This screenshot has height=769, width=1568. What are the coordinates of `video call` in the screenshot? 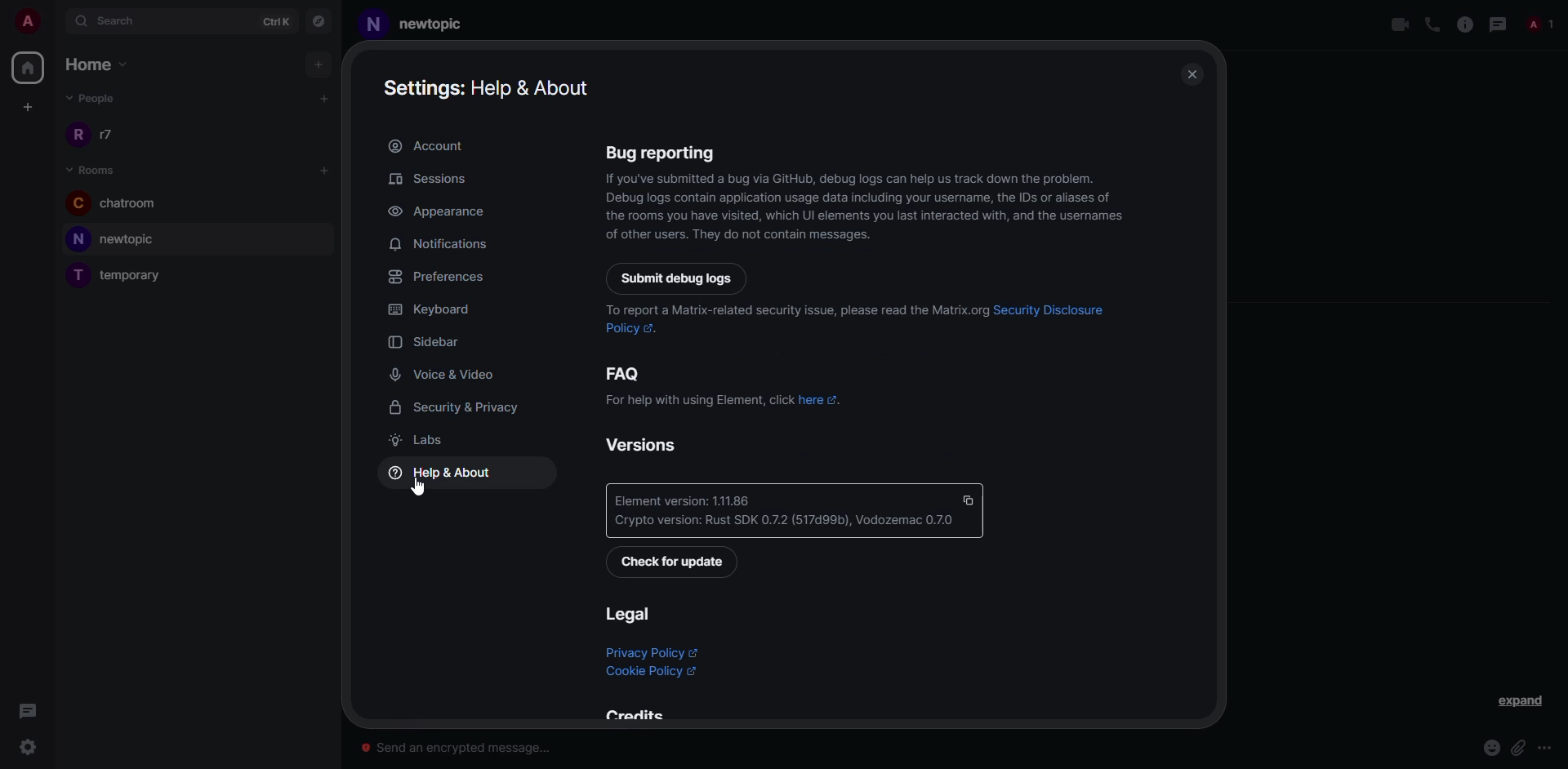 It's located at (1399, 25).